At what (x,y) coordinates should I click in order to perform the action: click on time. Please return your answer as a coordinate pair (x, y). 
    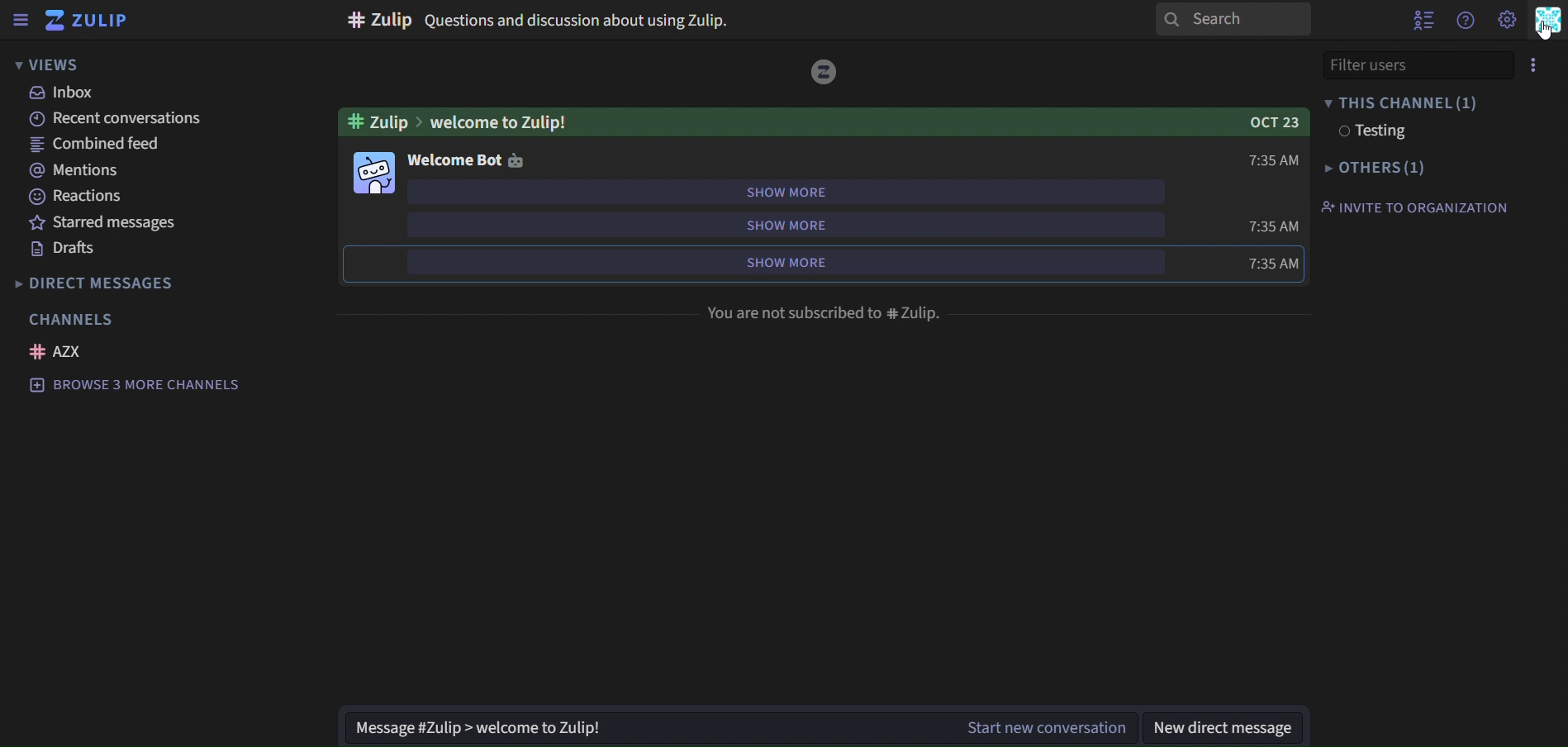
    Looking at the image, I should click on (1276, 226).